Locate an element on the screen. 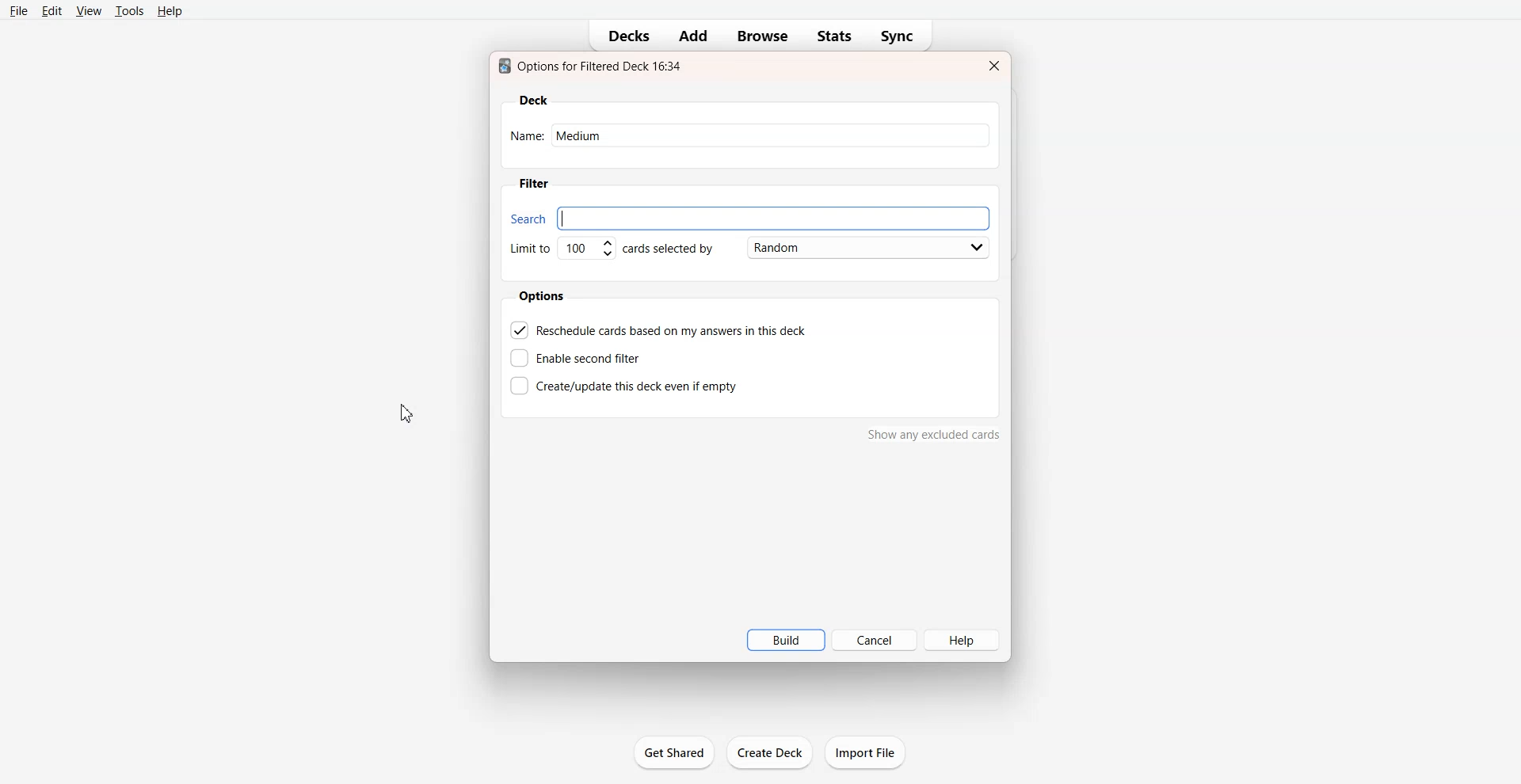  Add is located at coordinates (692, 36).